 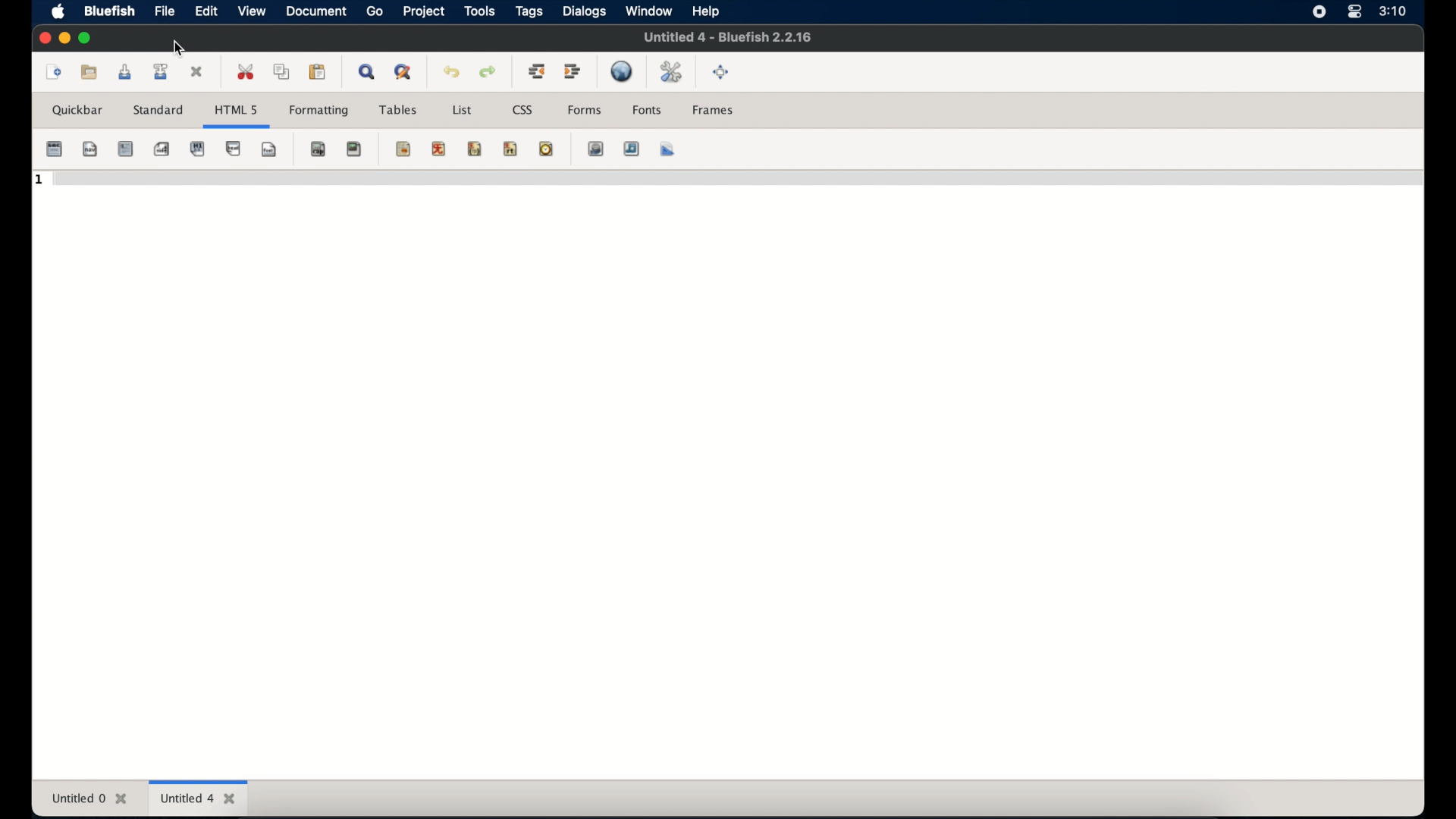 I want to click on show find bar, so click(x=369, y=71).